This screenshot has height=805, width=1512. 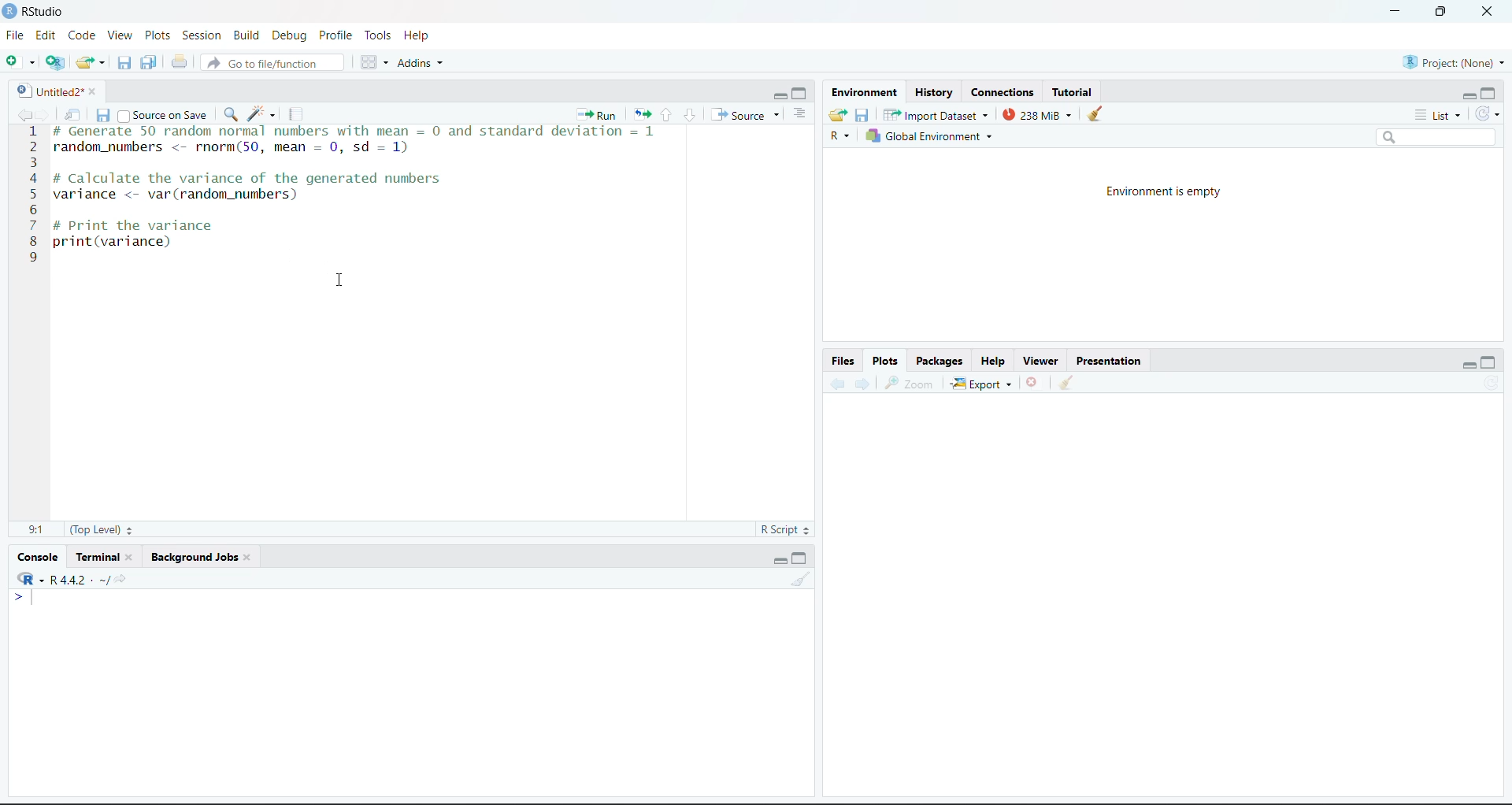 What do you see at coordinates (16, 35) in the screenshot?
I see `File` at bounding box center [16, 35].